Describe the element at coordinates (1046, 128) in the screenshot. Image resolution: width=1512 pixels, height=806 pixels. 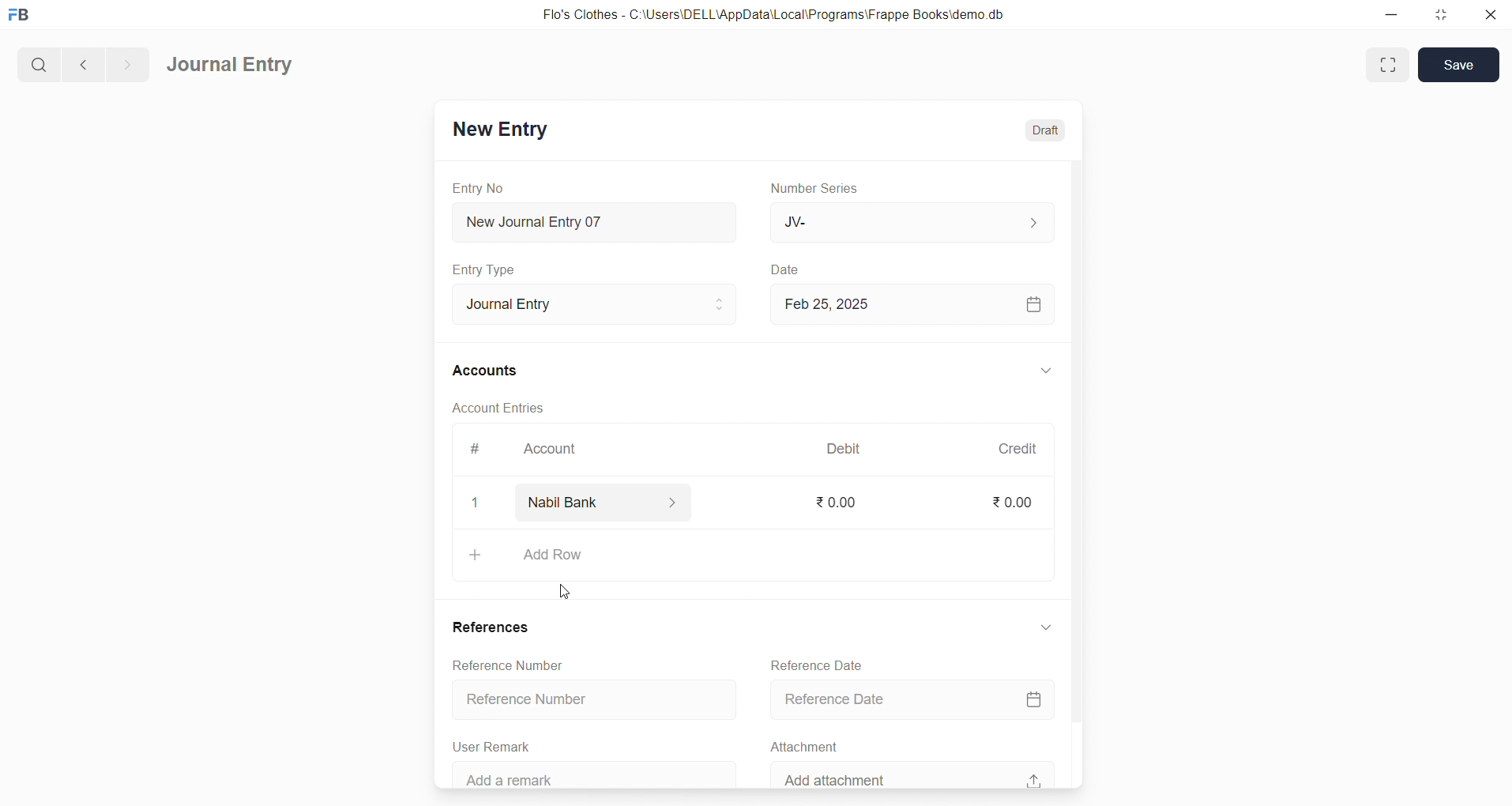
I see `Draft` at that location.